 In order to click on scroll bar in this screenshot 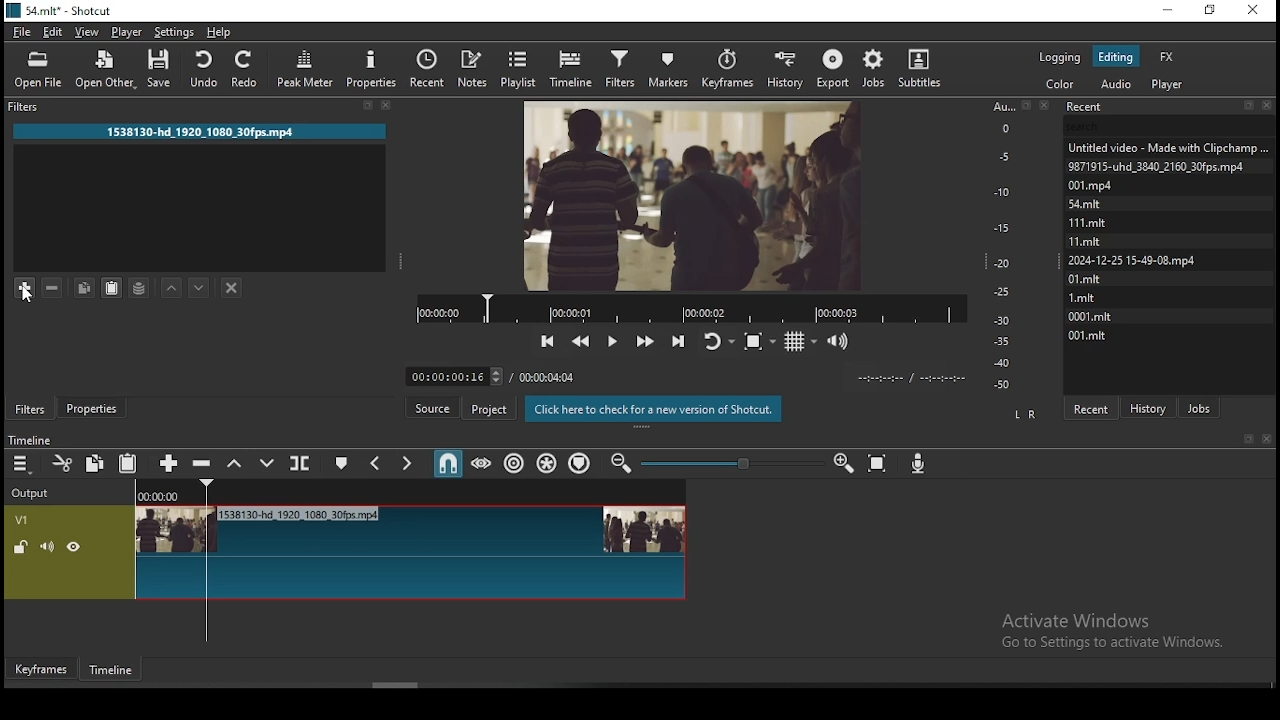, I will do `click(401, 686)`.